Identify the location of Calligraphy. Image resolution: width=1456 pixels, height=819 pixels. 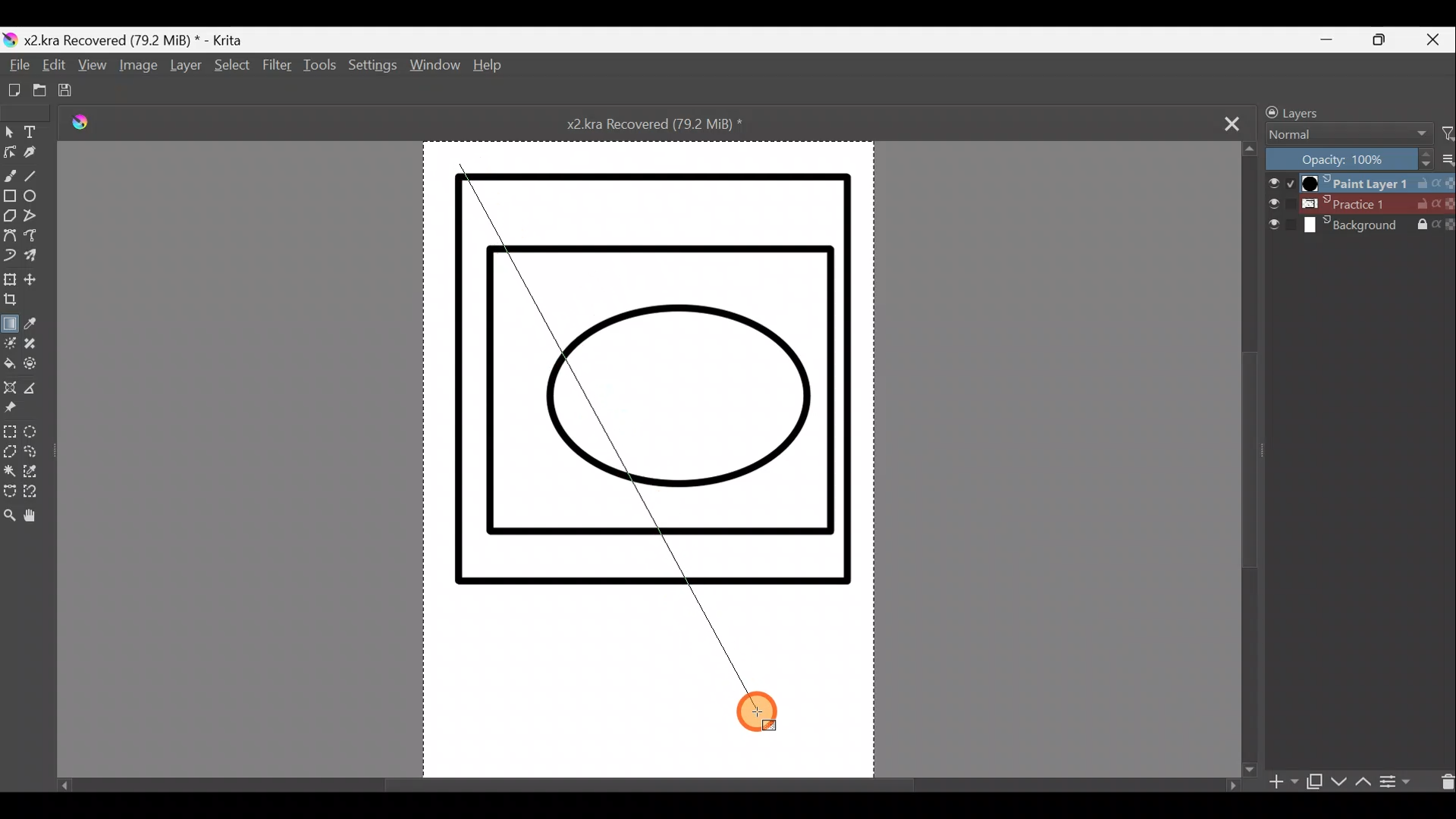
(30, 157).